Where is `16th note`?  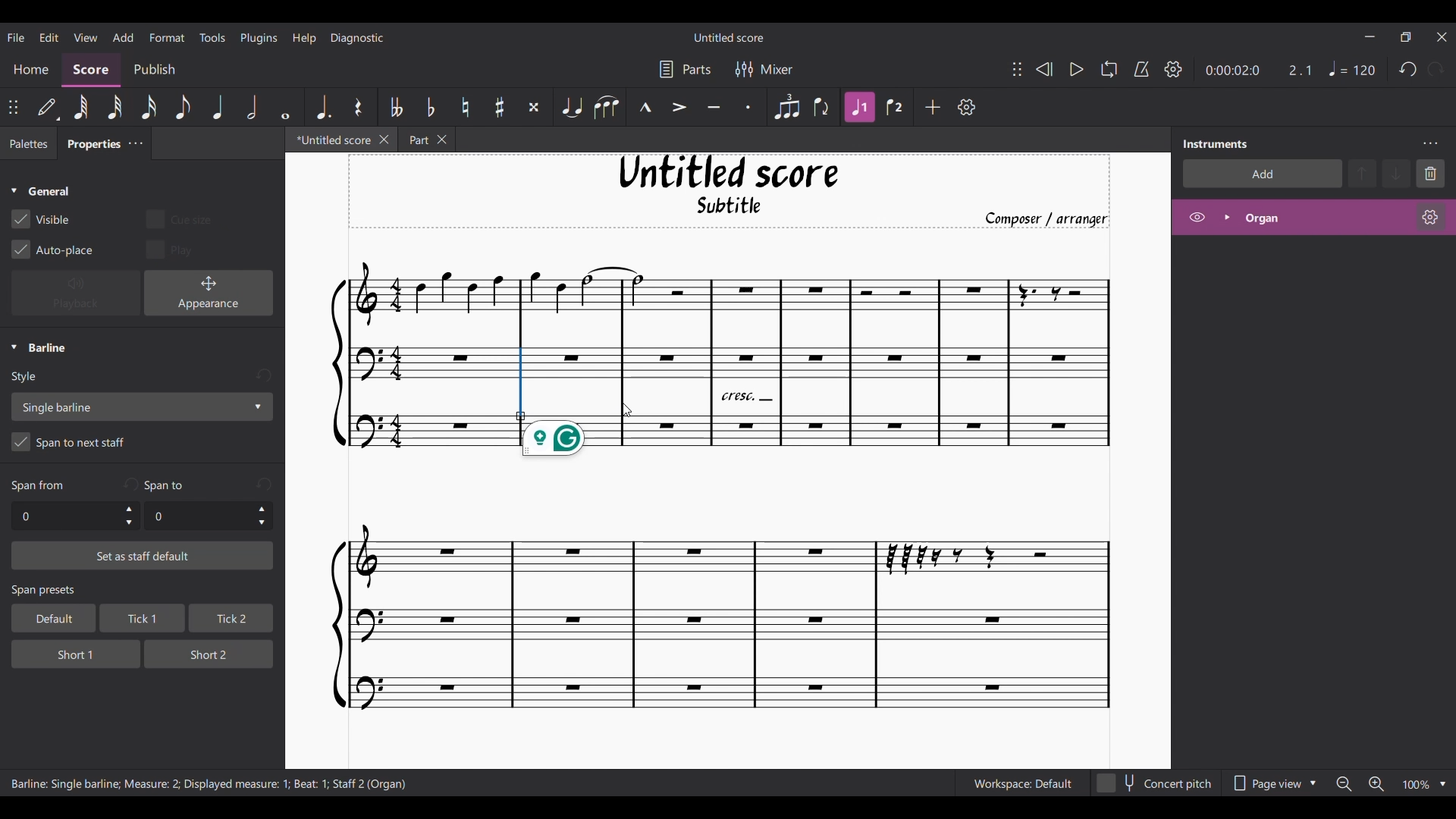
16th note is located at coordinates (150, 107).